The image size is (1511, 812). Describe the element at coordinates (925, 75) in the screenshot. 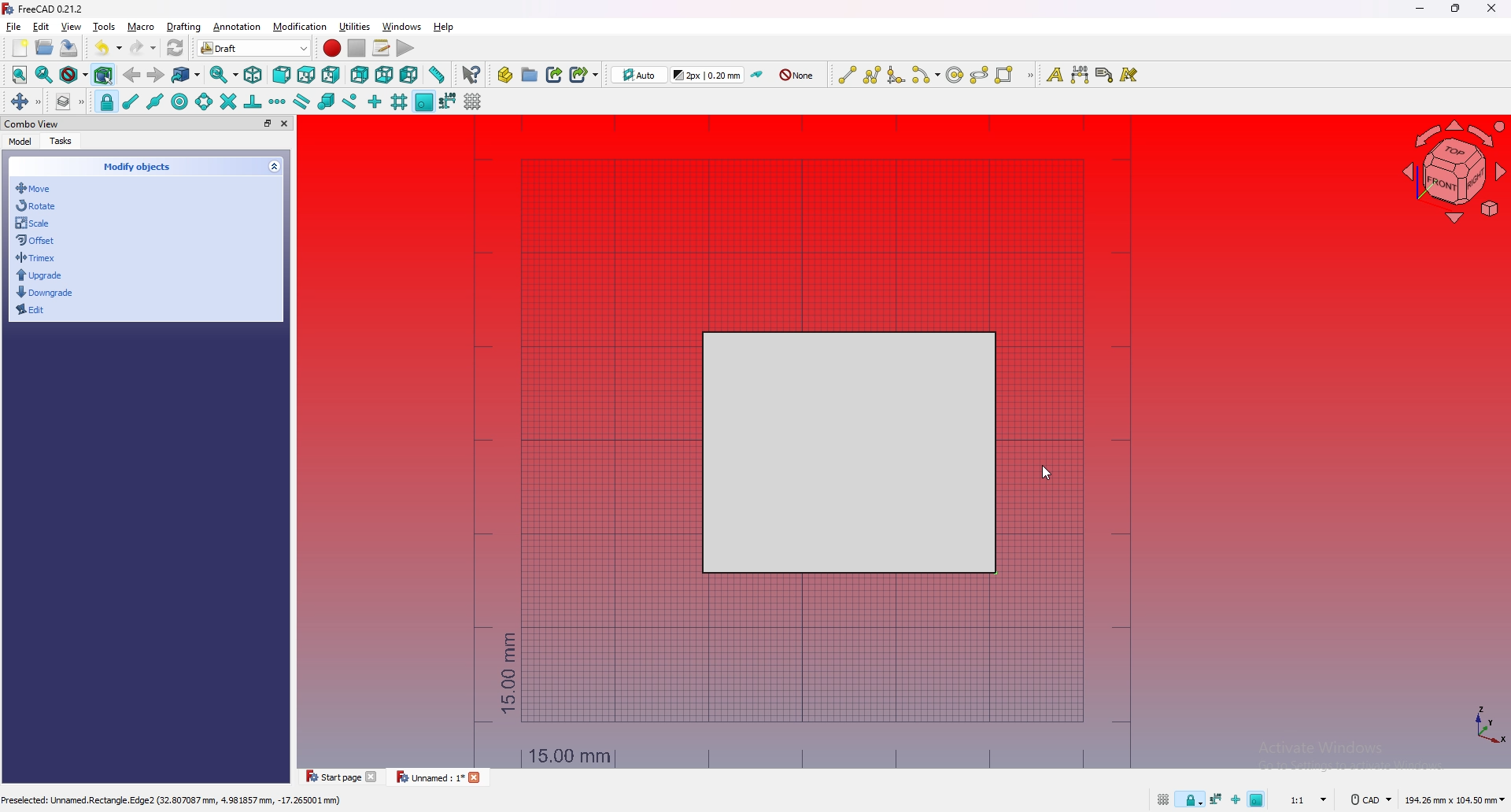

I see `arc tools` at that location.